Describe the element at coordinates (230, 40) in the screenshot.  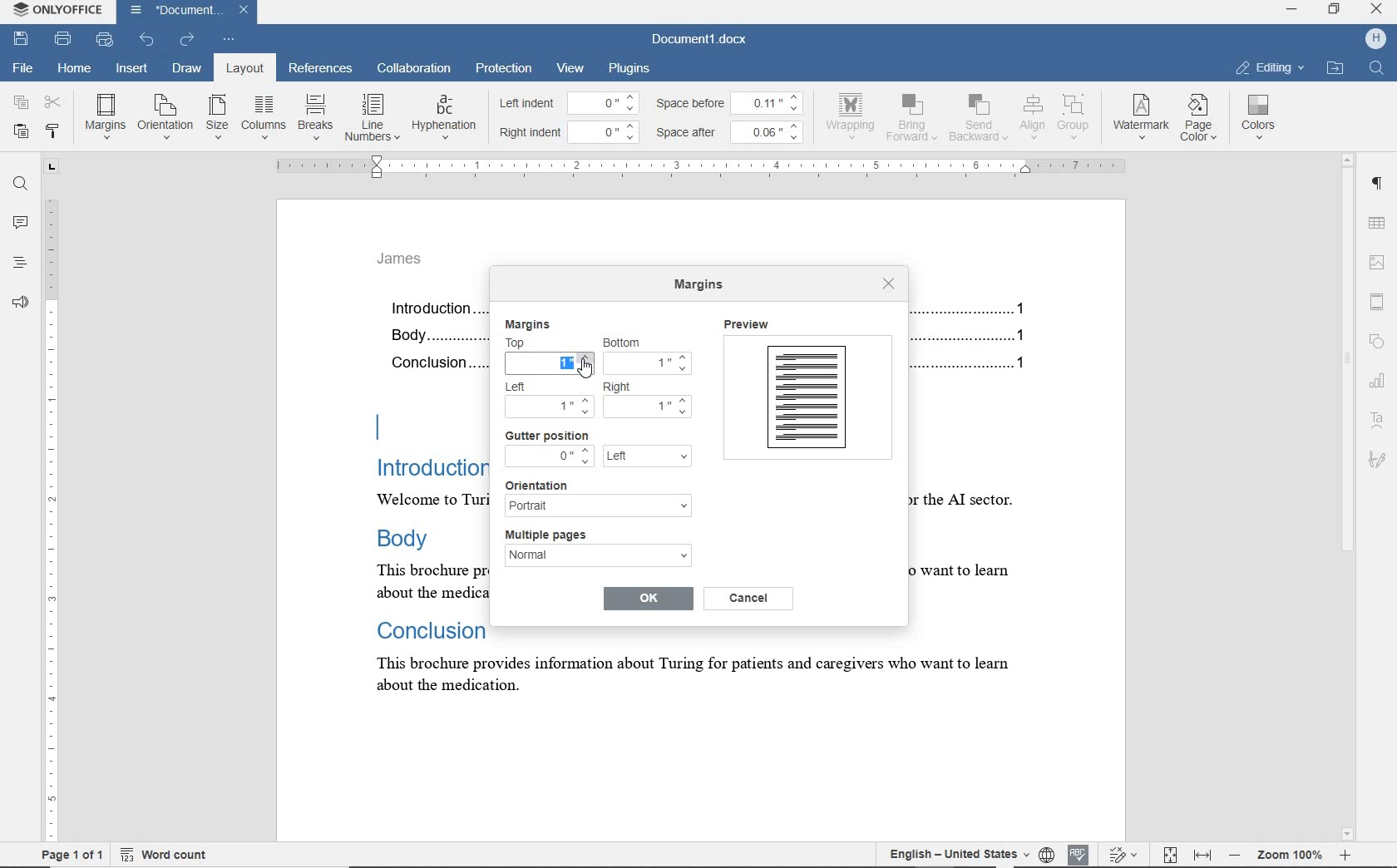
I see `customize quick access ` at that location.